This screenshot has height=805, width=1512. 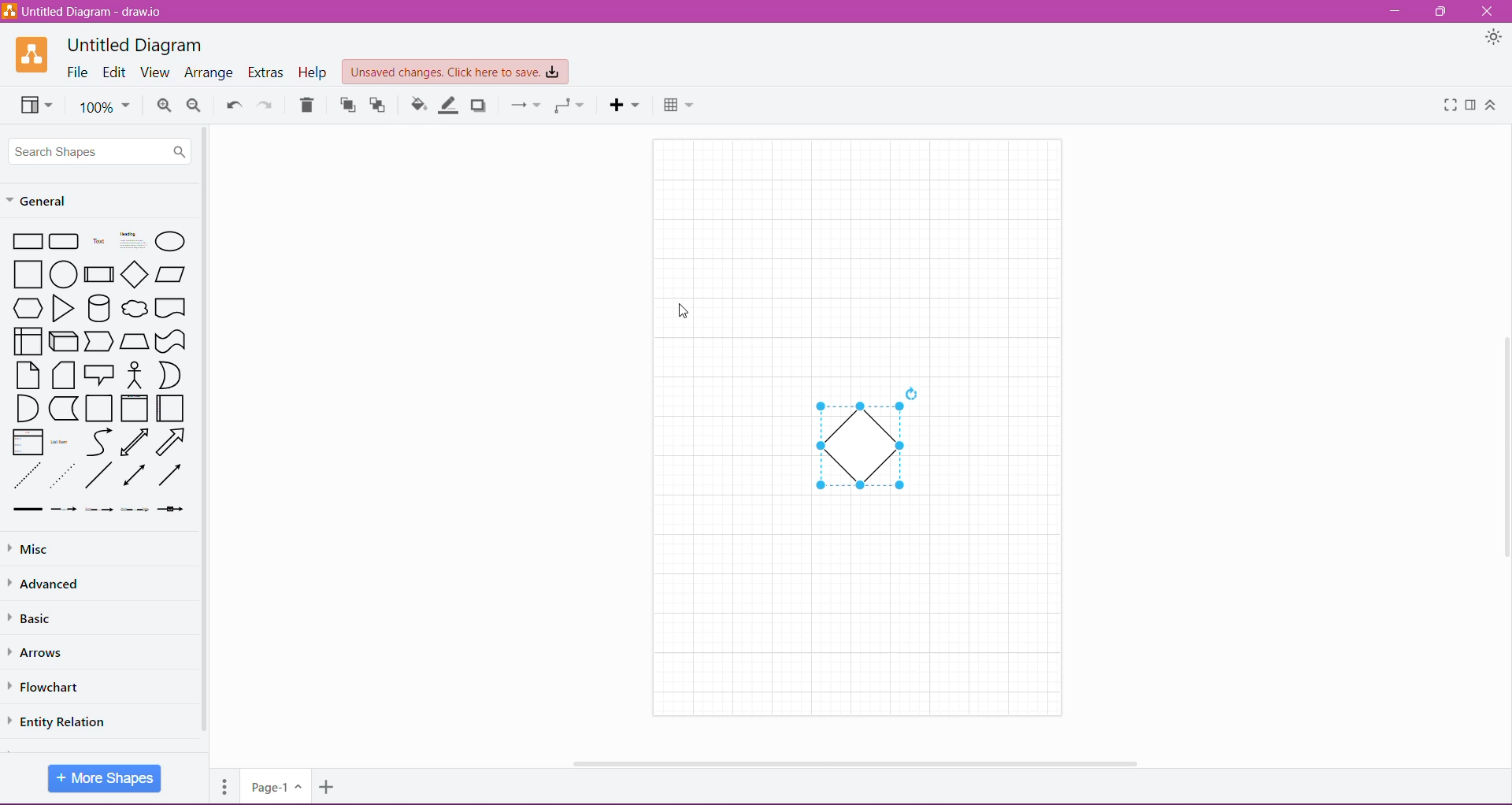 What do you see at coordinates (1441, 13) in the screenshot?
I see `Restore Down` at bounding box center [1441, 13].